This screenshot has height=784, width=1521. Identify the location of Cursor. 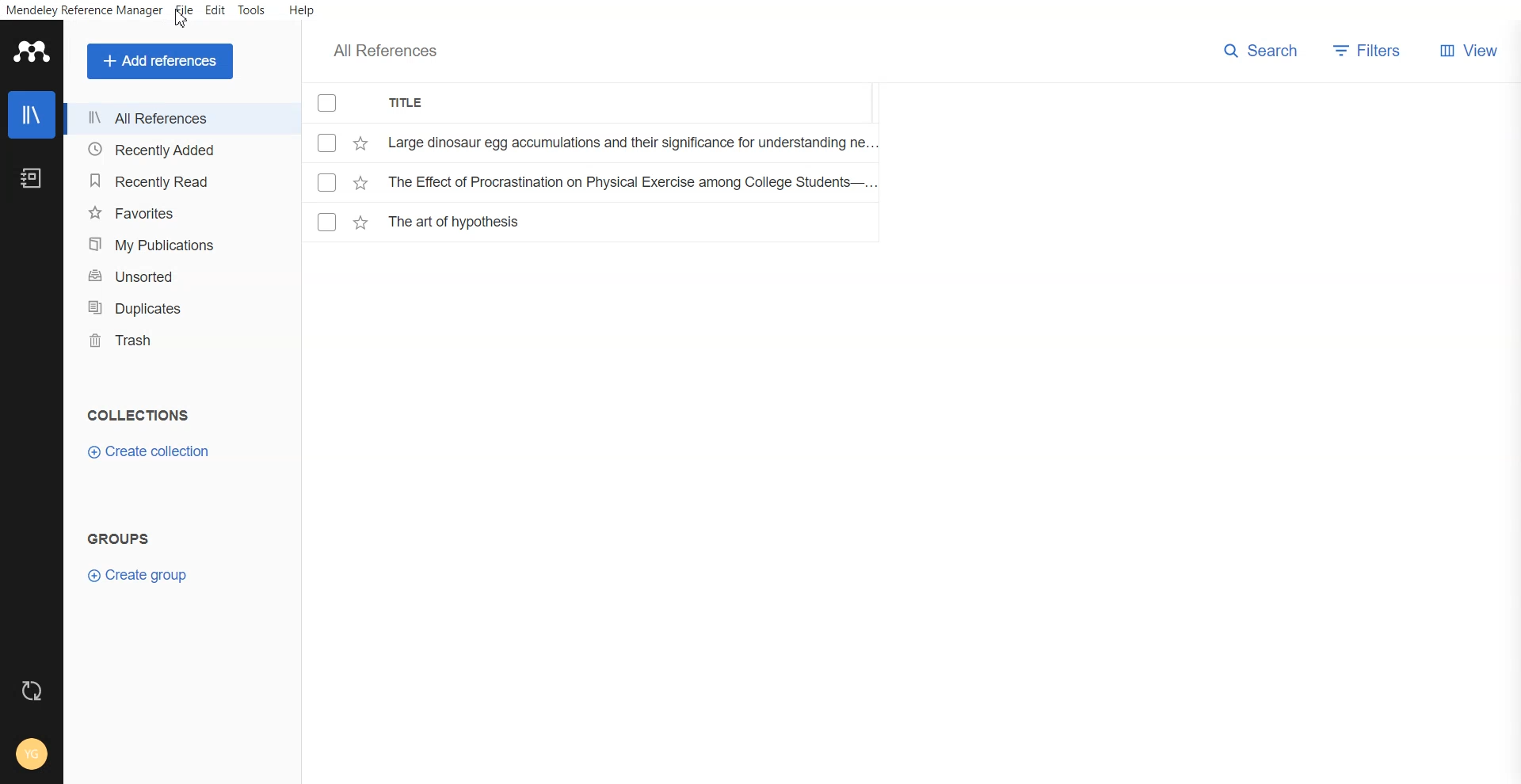
(181, 18).